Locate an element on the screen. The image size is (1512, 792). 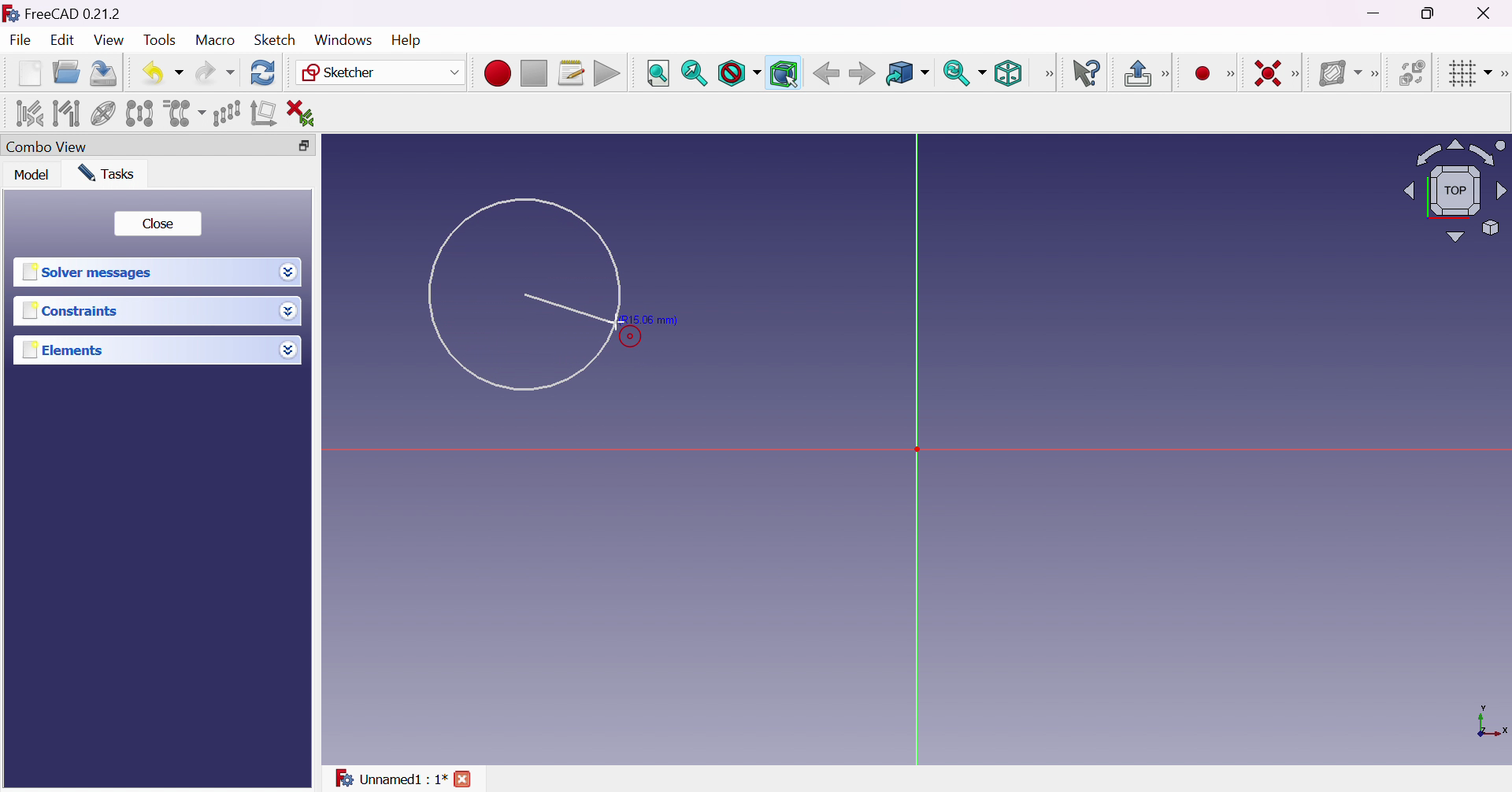
Redo is located at coordinates (215, 72).